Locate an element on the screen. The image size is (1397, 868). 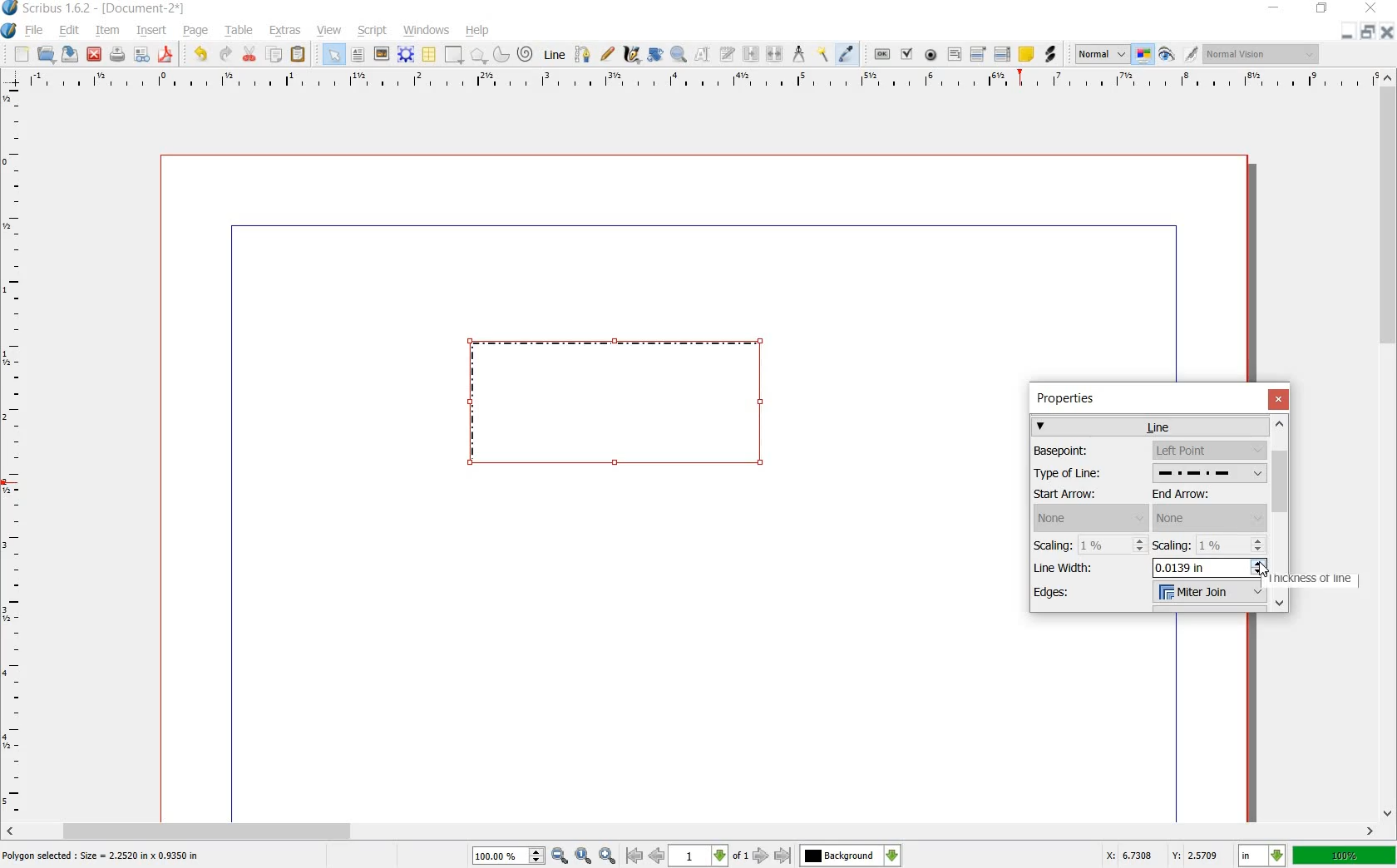
None is located at coordinates (1090, 518).